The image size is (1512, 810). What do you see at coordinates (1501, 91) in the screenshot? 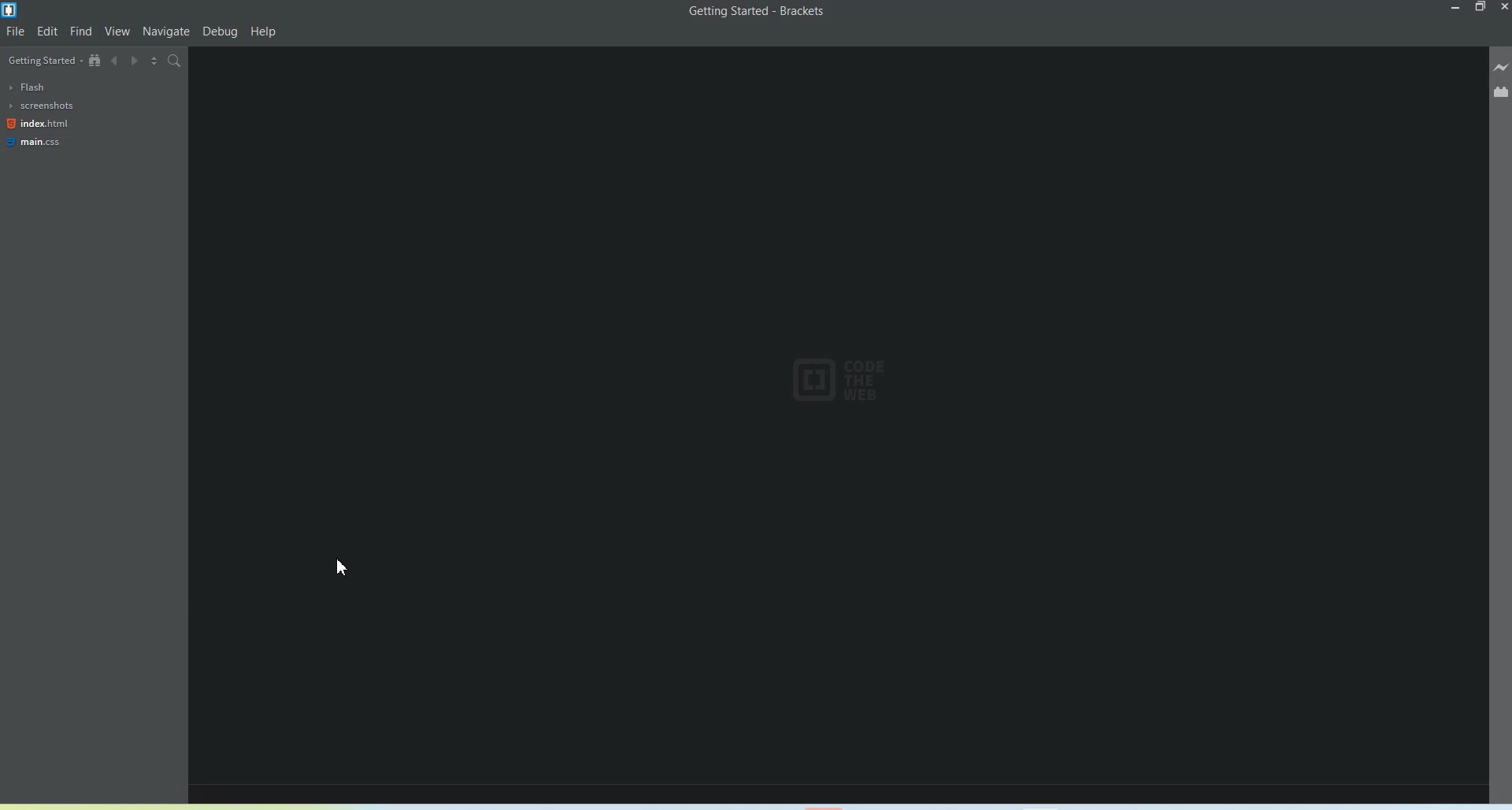
I see `Extension Manager` at bounding box center [1501, 91].